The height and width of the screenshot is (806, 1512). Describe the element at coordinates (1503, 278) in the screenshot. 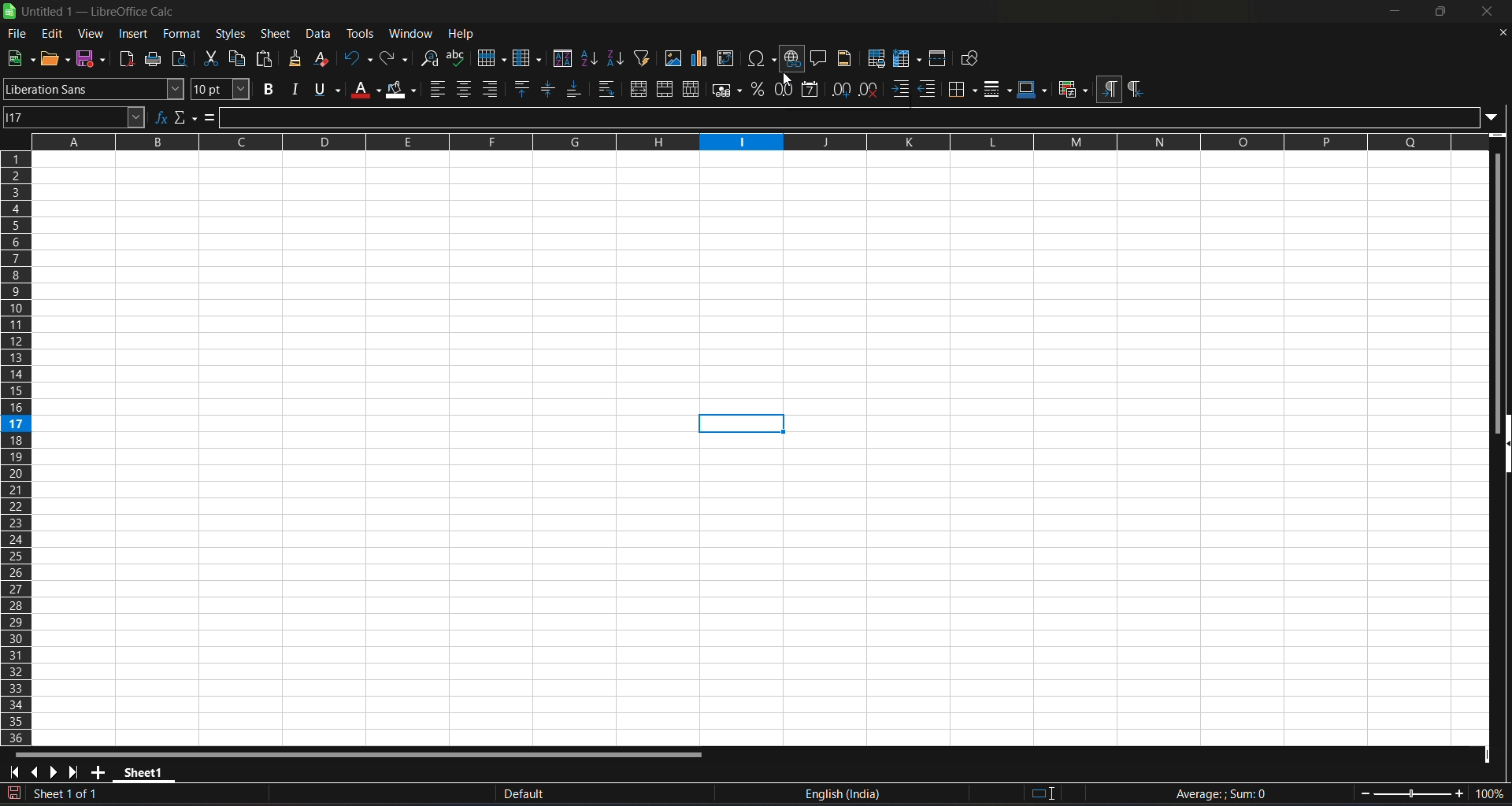

I see `vertical scroll bar` at that location.